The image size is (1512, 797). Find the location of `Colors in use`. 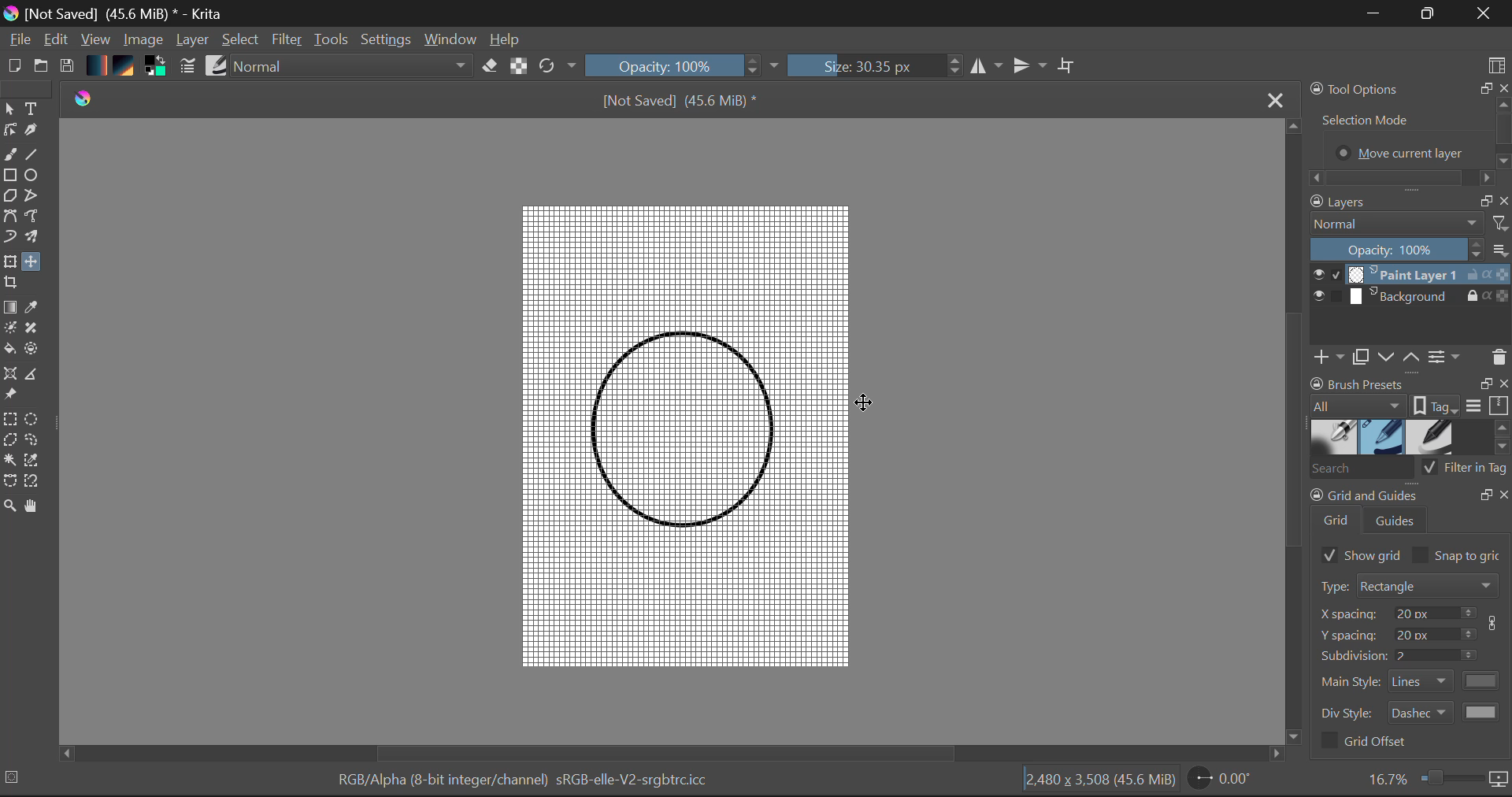

Colors in use is located at coordinates (159, 69).